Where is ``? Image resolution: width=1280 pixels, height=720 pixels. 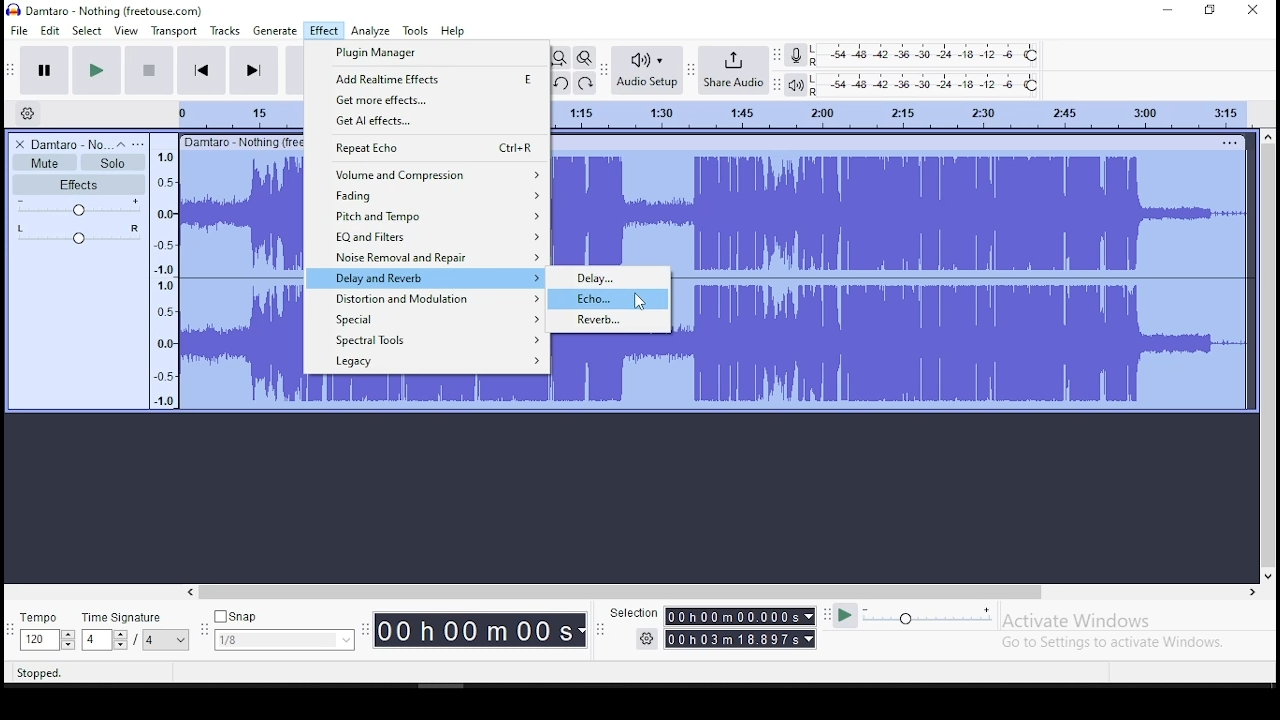
 is located at coordinates (201, 629).